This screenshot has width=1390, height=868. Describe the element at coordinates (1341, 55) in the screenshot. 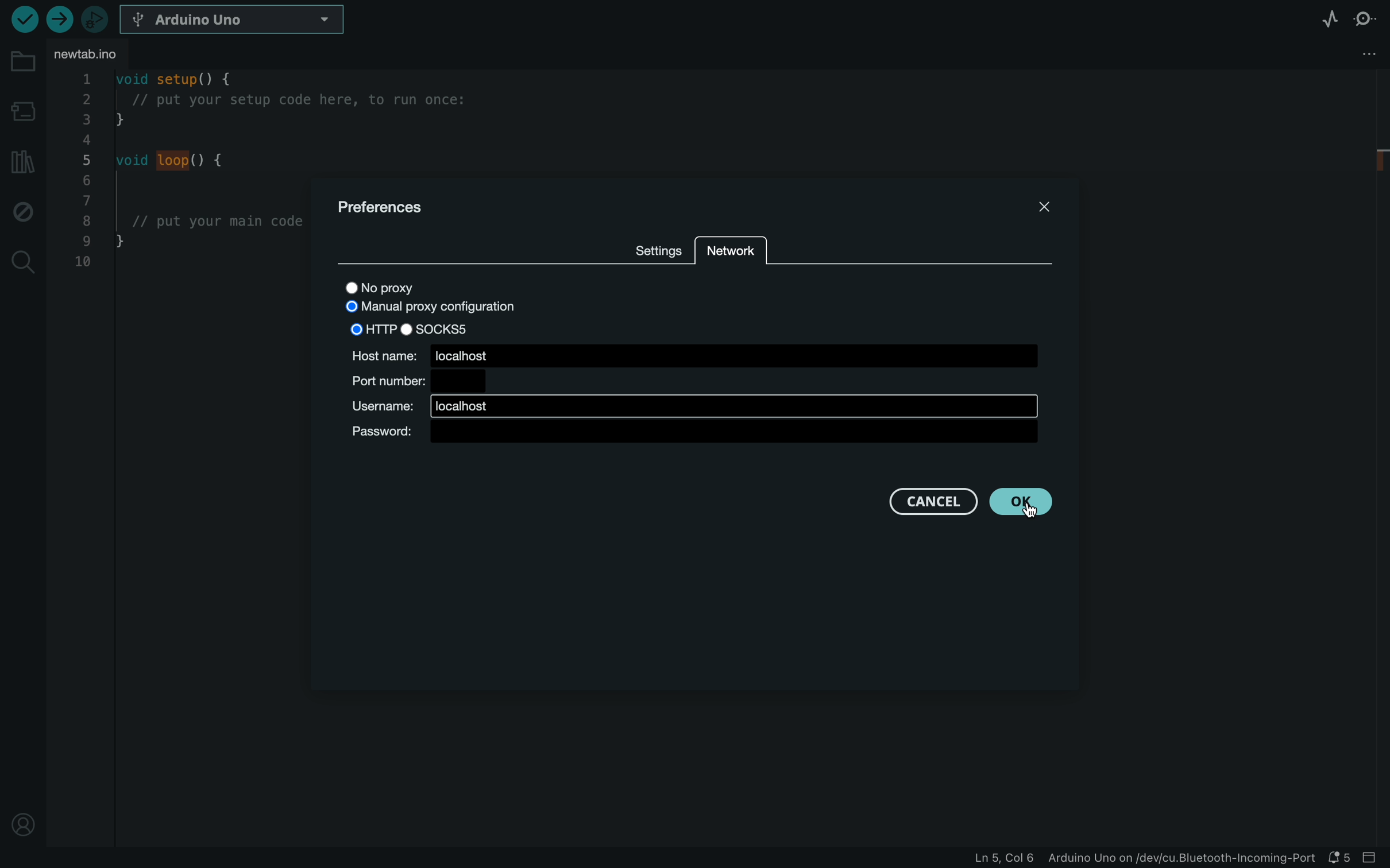

I see `file setting` at that location.